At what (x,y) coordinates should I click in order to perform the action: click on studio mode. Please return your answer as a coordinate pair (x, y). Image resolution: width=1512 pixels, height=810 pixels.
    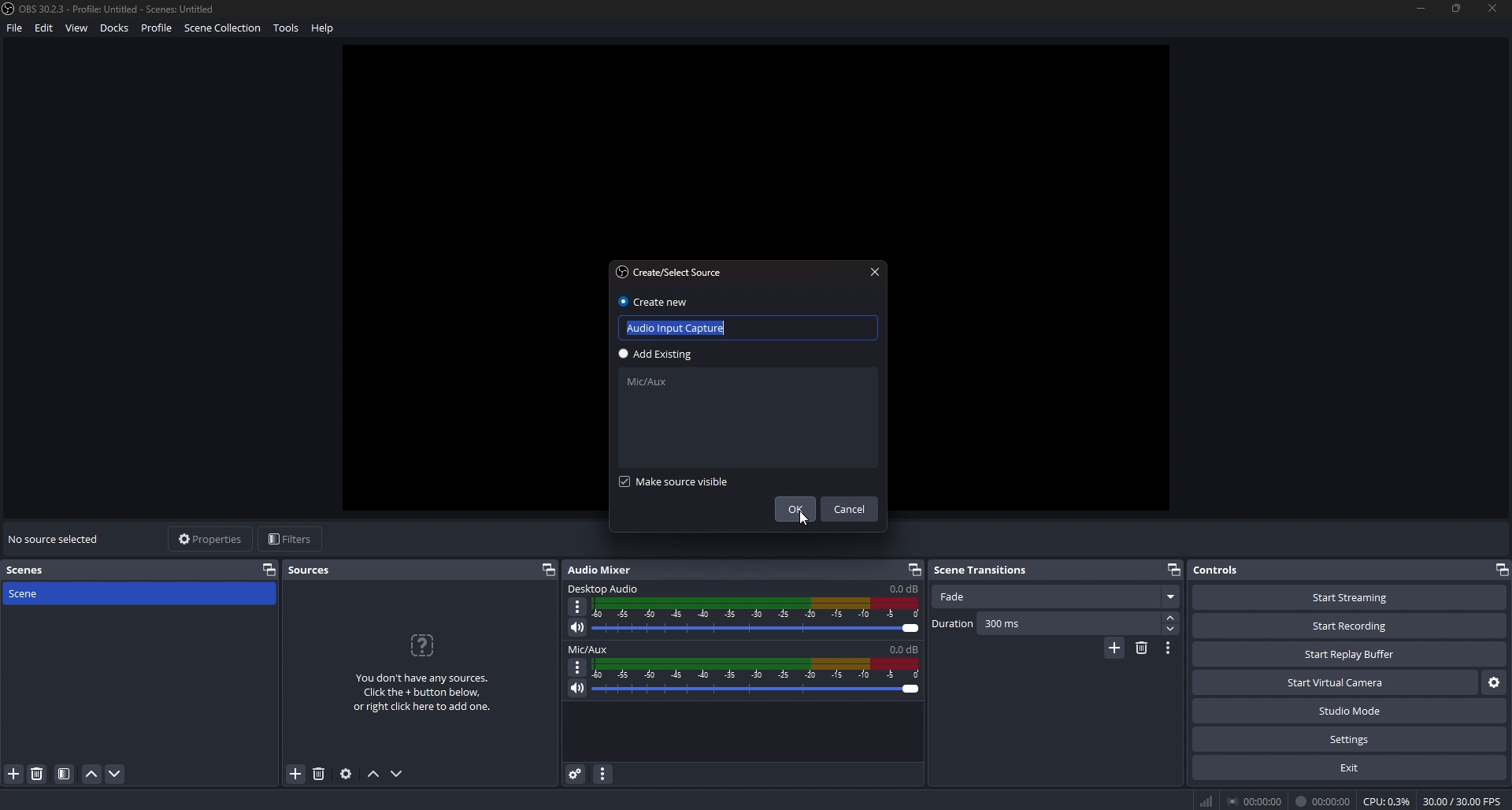
    Looking at the image, I should click on (1350, 712).